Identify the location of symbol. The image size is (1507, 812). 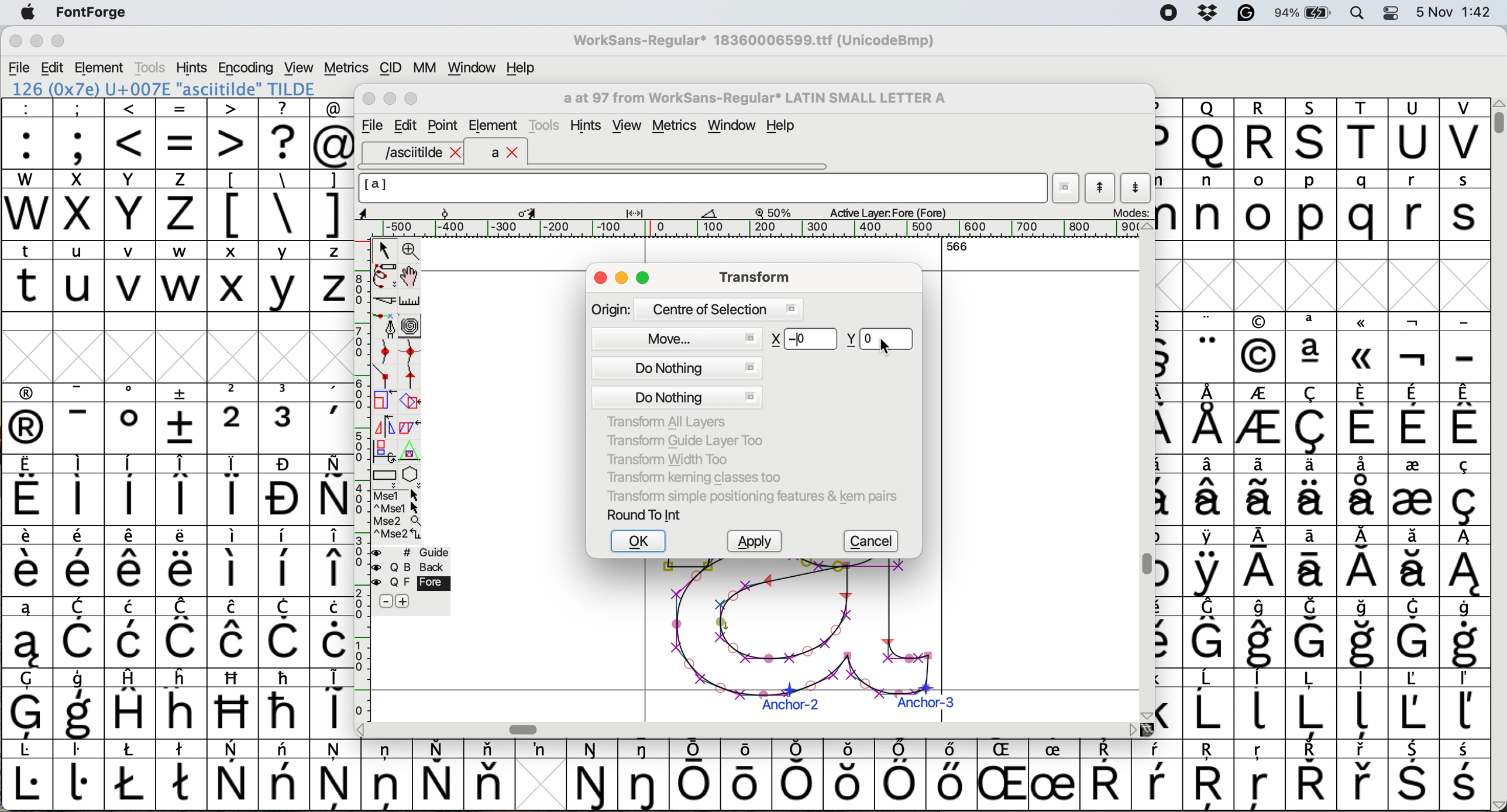
(1310, 703).